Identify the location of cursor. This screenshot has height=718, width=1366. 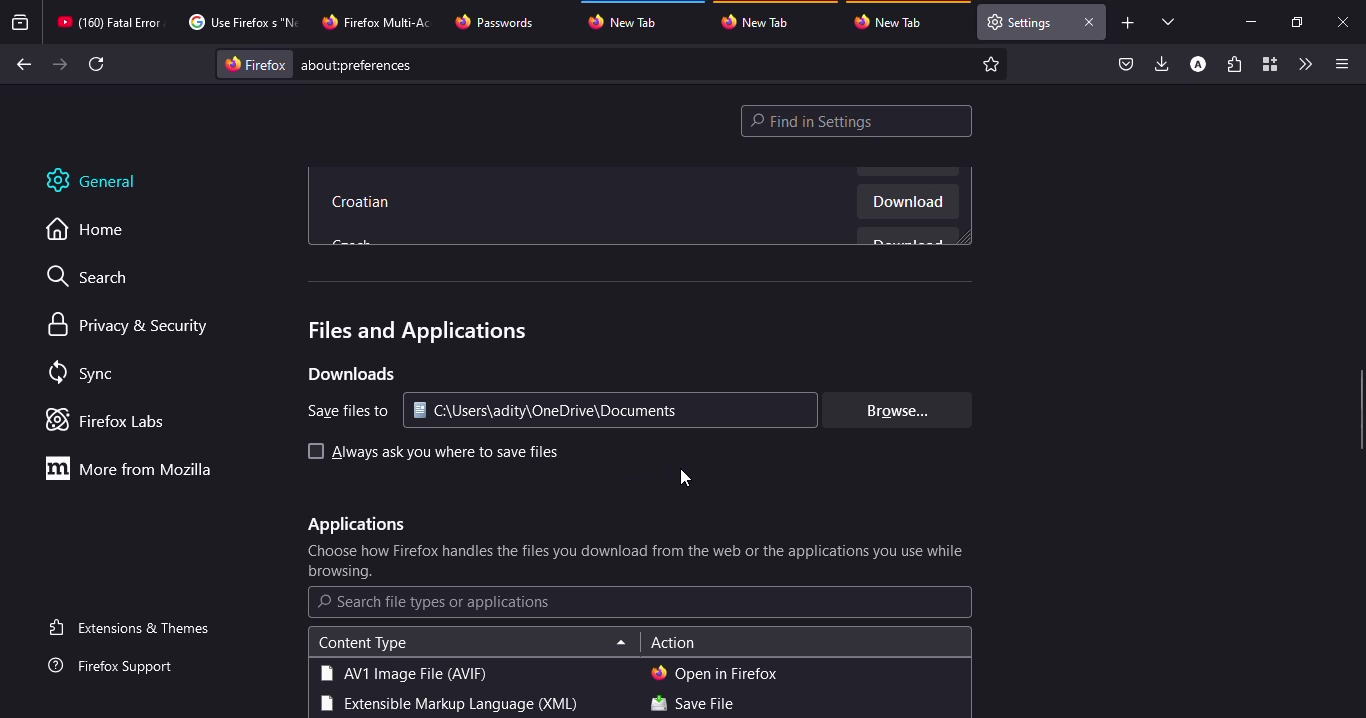
(686, 478).